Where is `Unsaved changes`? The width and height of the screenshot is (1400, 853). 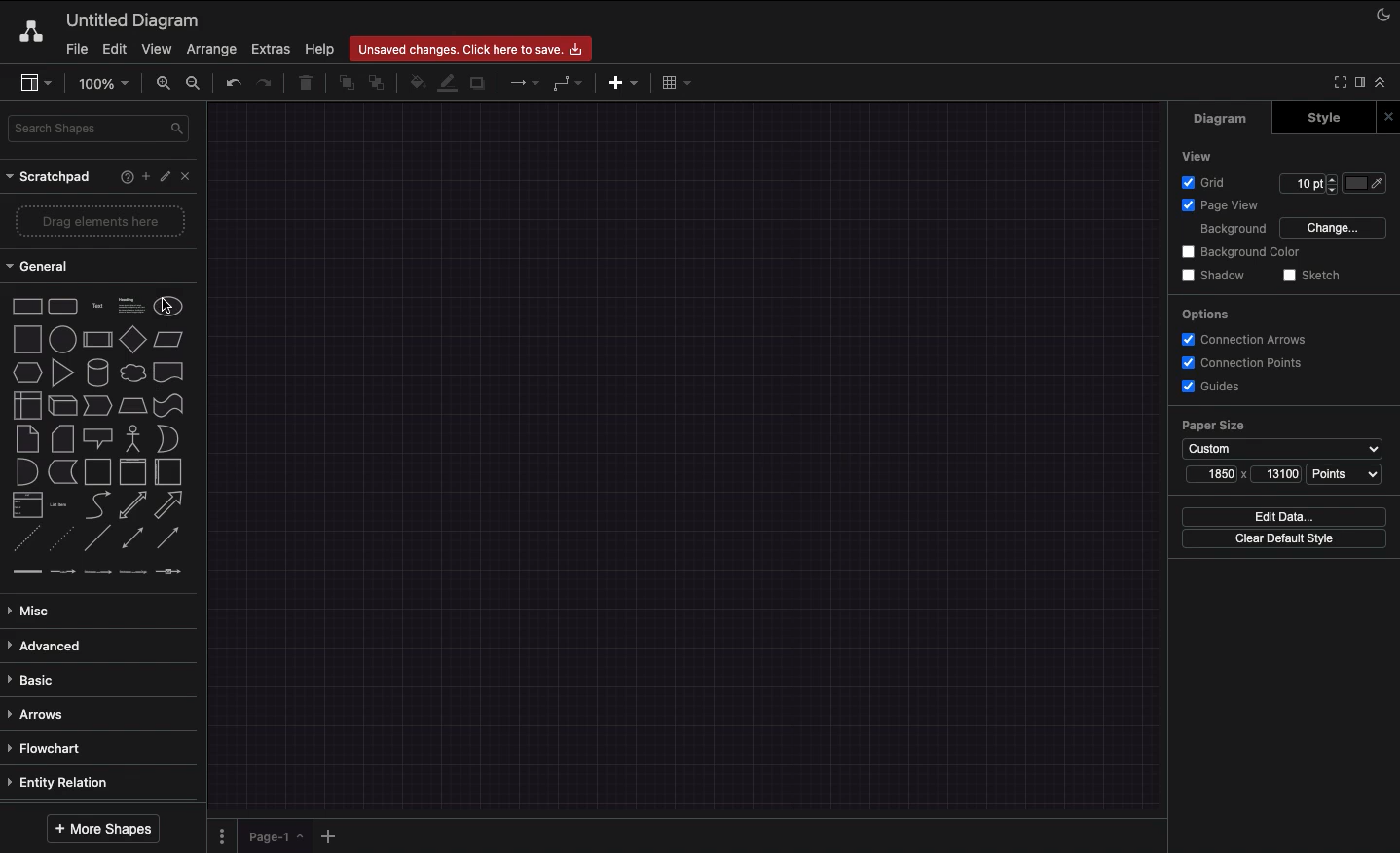
Unsaved changes is located at coordinates (474, 47).